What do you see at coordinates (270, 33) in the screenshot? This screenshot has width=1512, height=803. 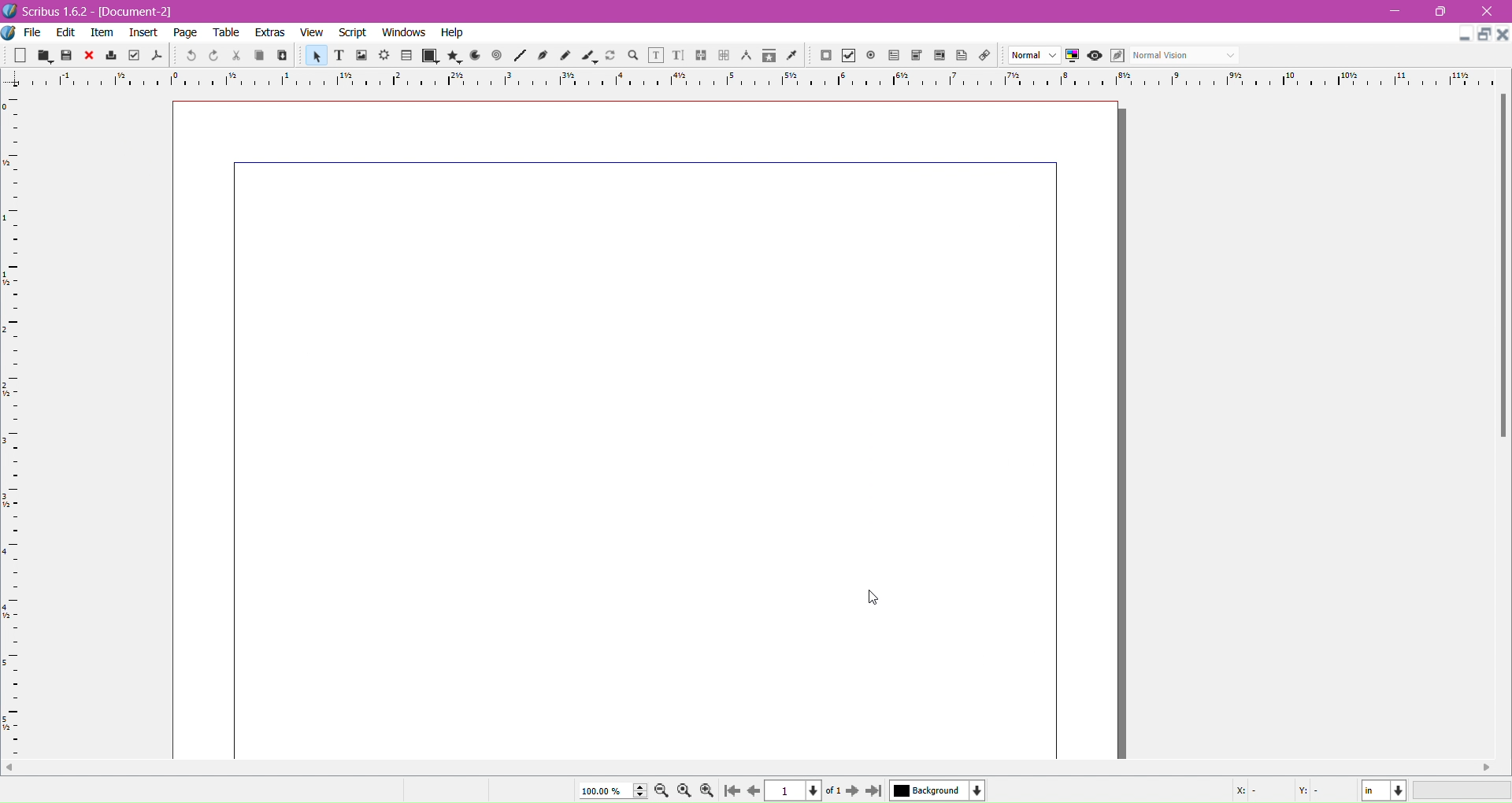 I see `Extras` at bounding box center [270, 33].